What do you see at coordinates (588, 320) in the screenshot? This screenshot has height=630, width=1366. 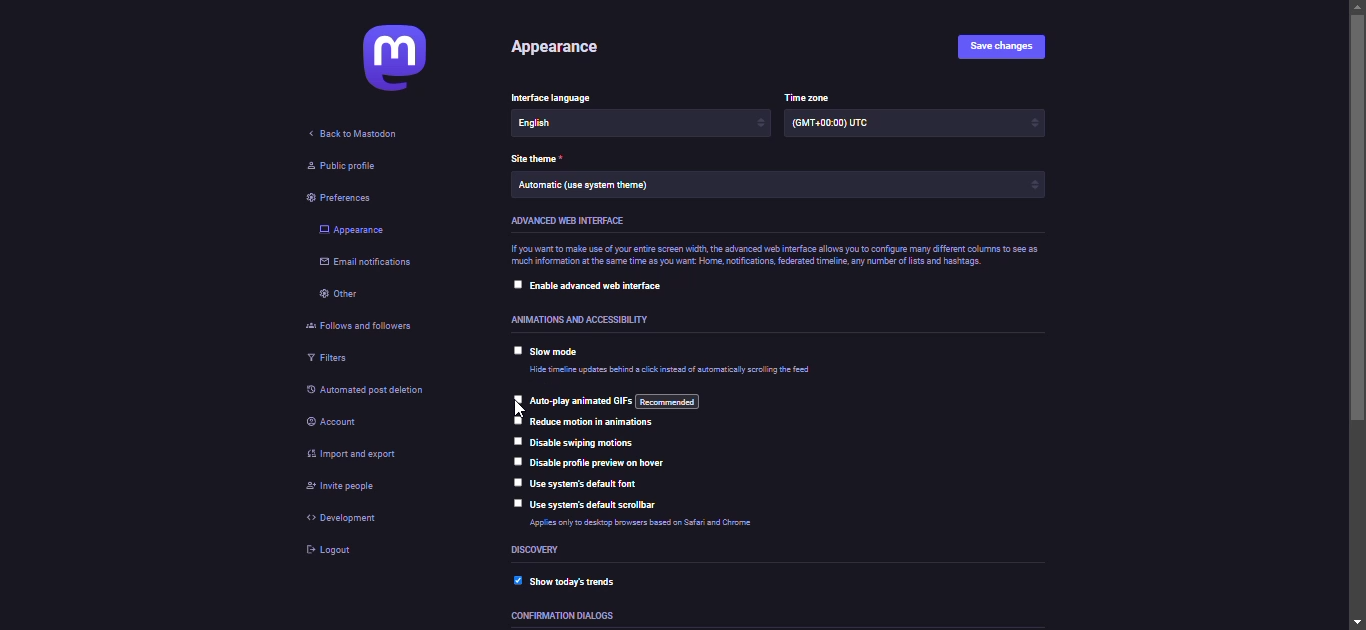 I see `accessibility` at bounding box center [588, 320].